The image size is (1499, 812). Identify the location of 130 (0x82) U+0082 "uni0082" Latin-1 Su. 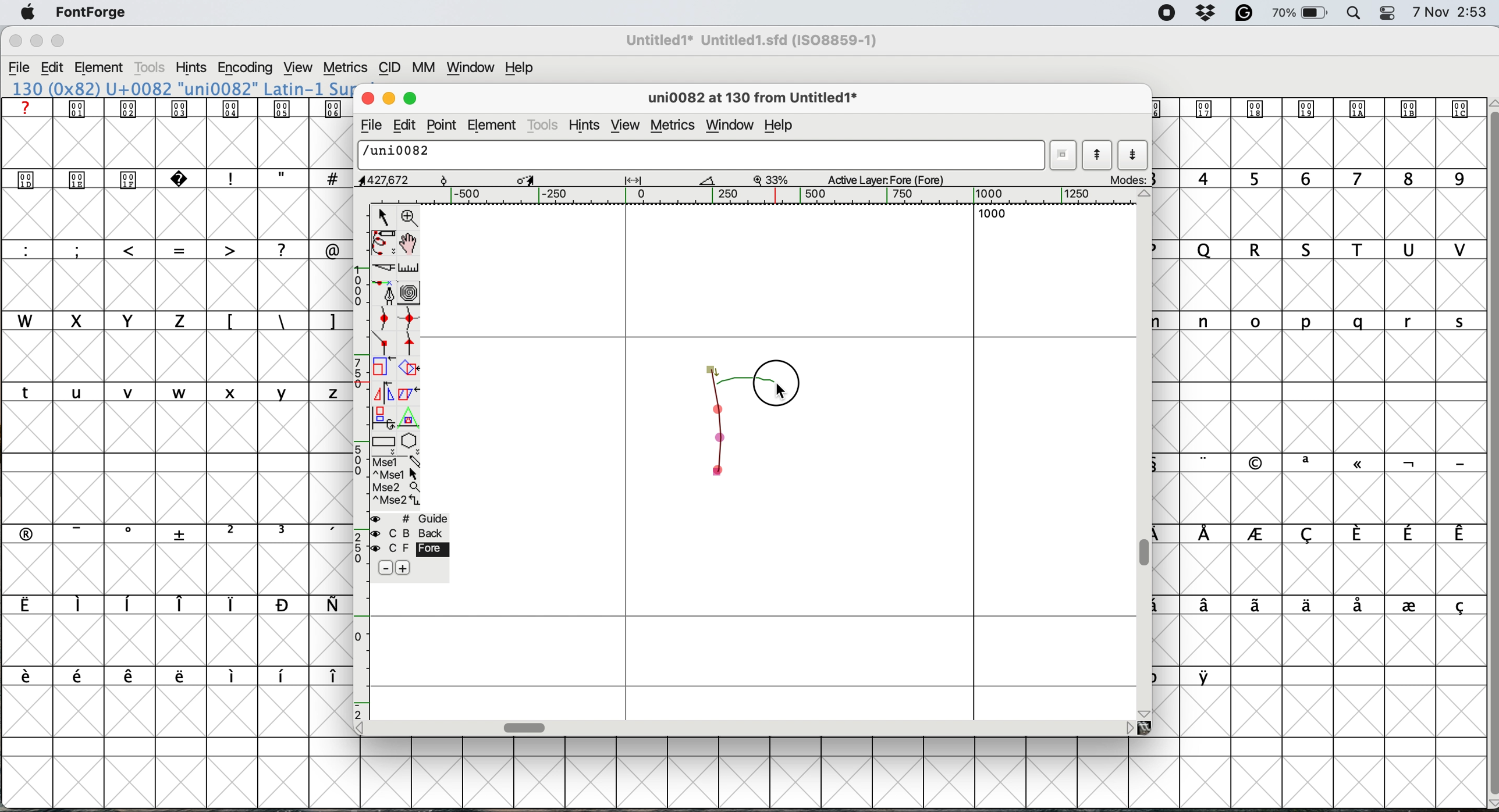
(182, 88).